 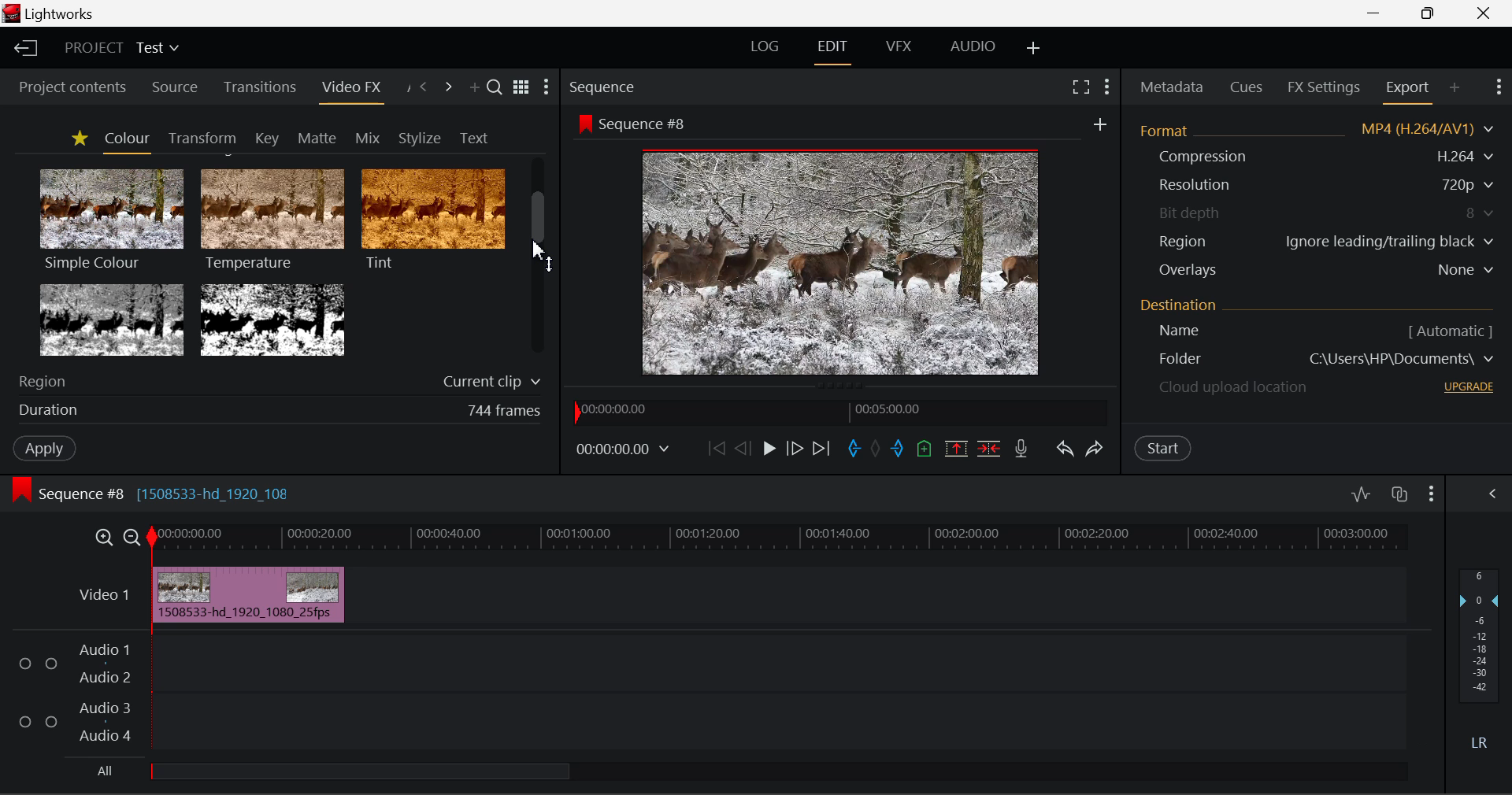 I want to click on Checkbox, so click(x=50, y=720).